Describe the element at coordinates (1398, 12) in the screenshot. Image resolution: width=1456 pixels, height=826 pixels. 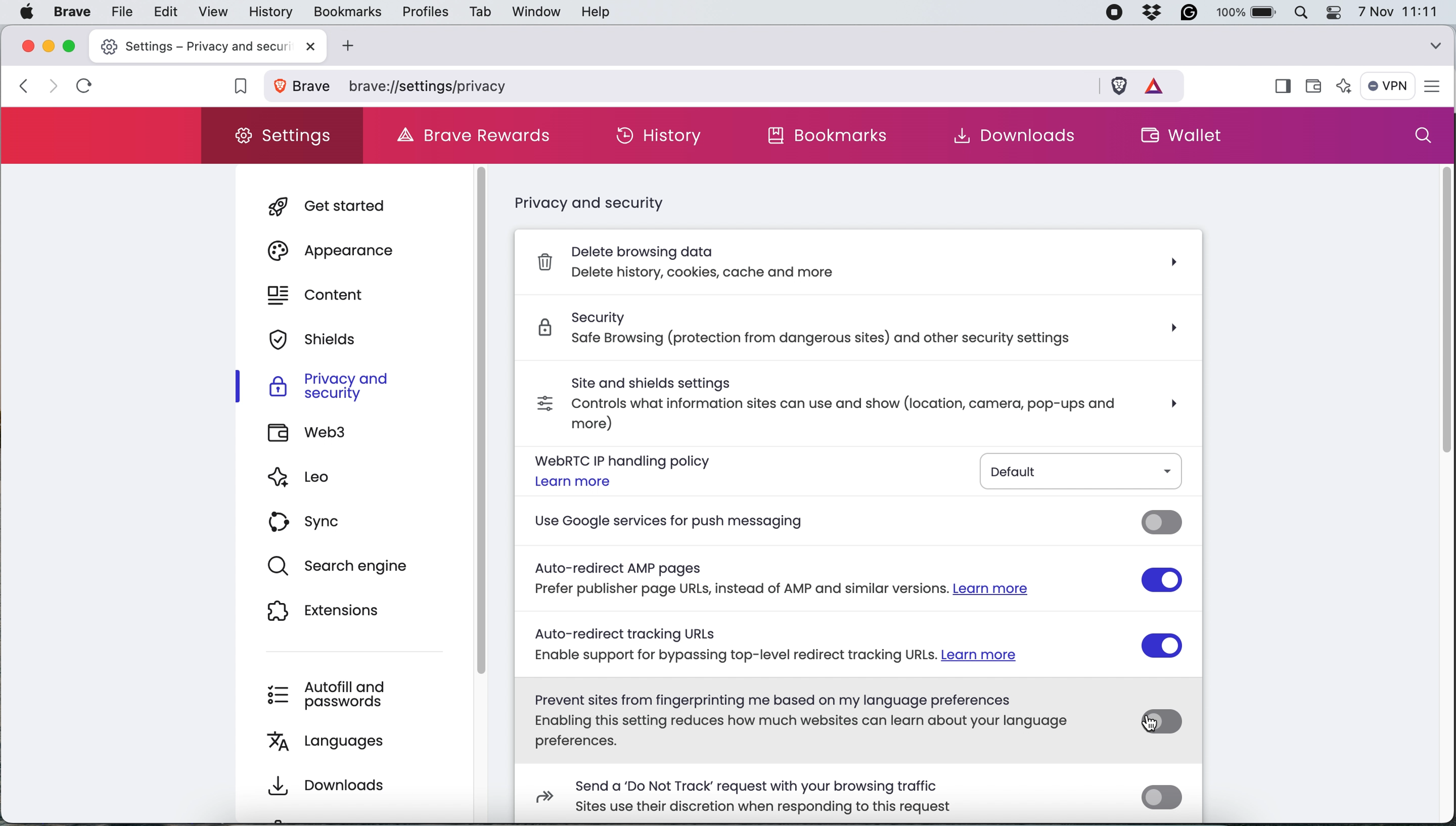
I see `7 nov 11:11` at that location.